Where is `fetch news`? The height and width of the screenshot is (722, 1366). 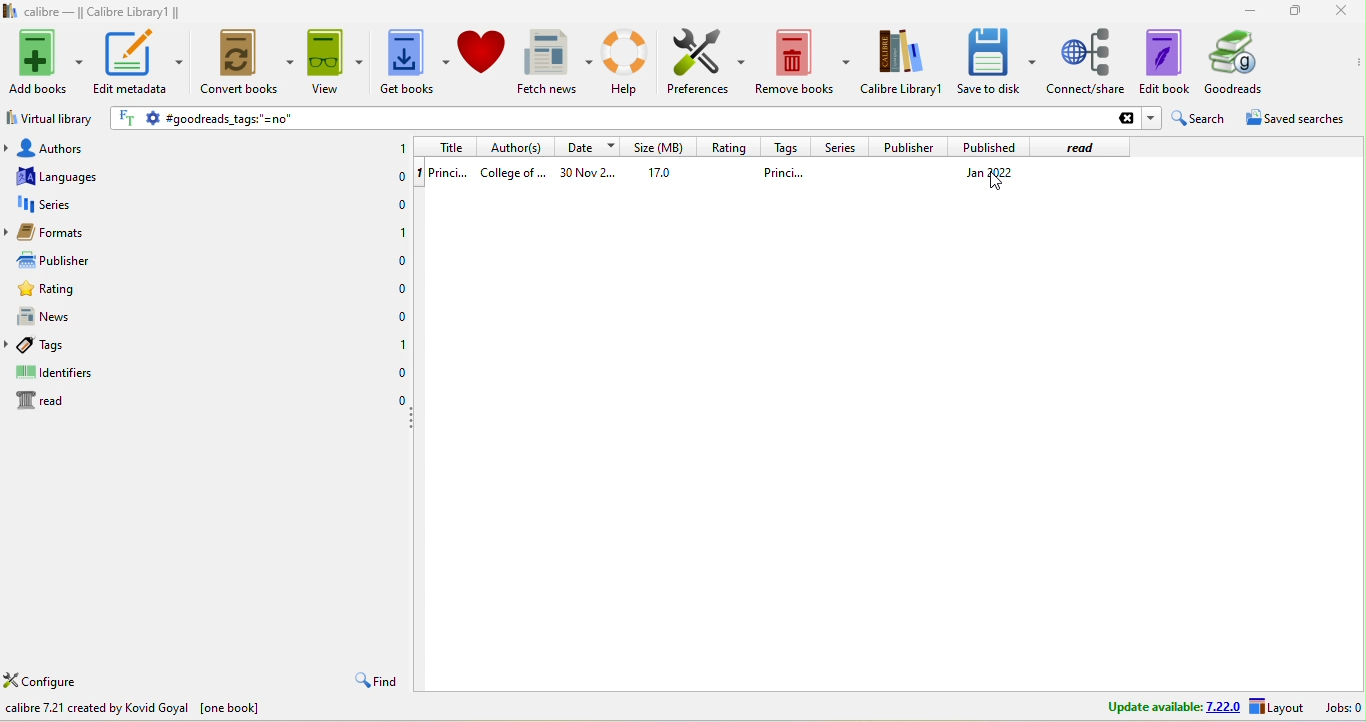 fetch news is located at coordinates (555, 61).